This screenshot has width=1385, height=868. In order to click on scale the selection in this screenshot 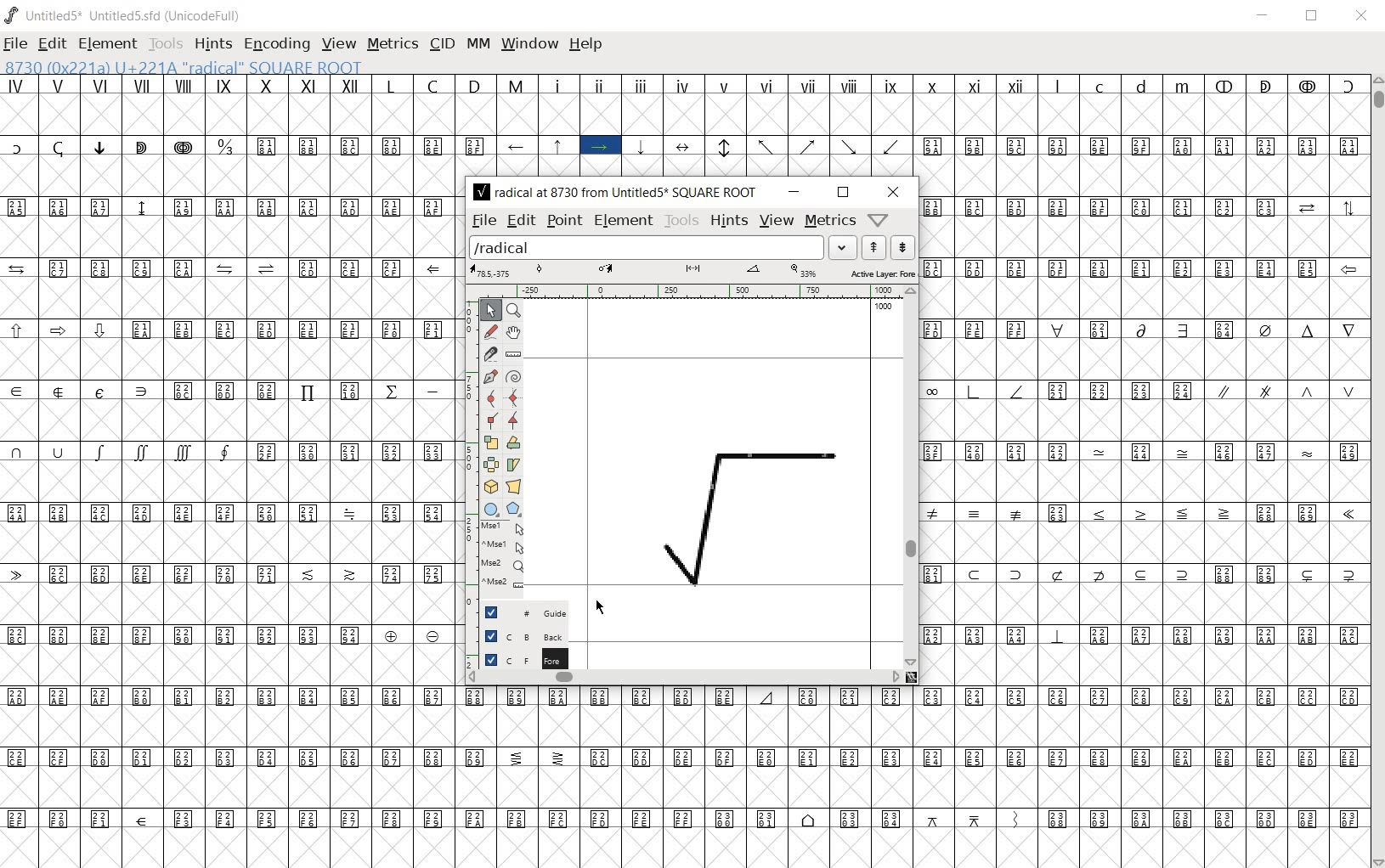, I will do `click(489, 442)`.